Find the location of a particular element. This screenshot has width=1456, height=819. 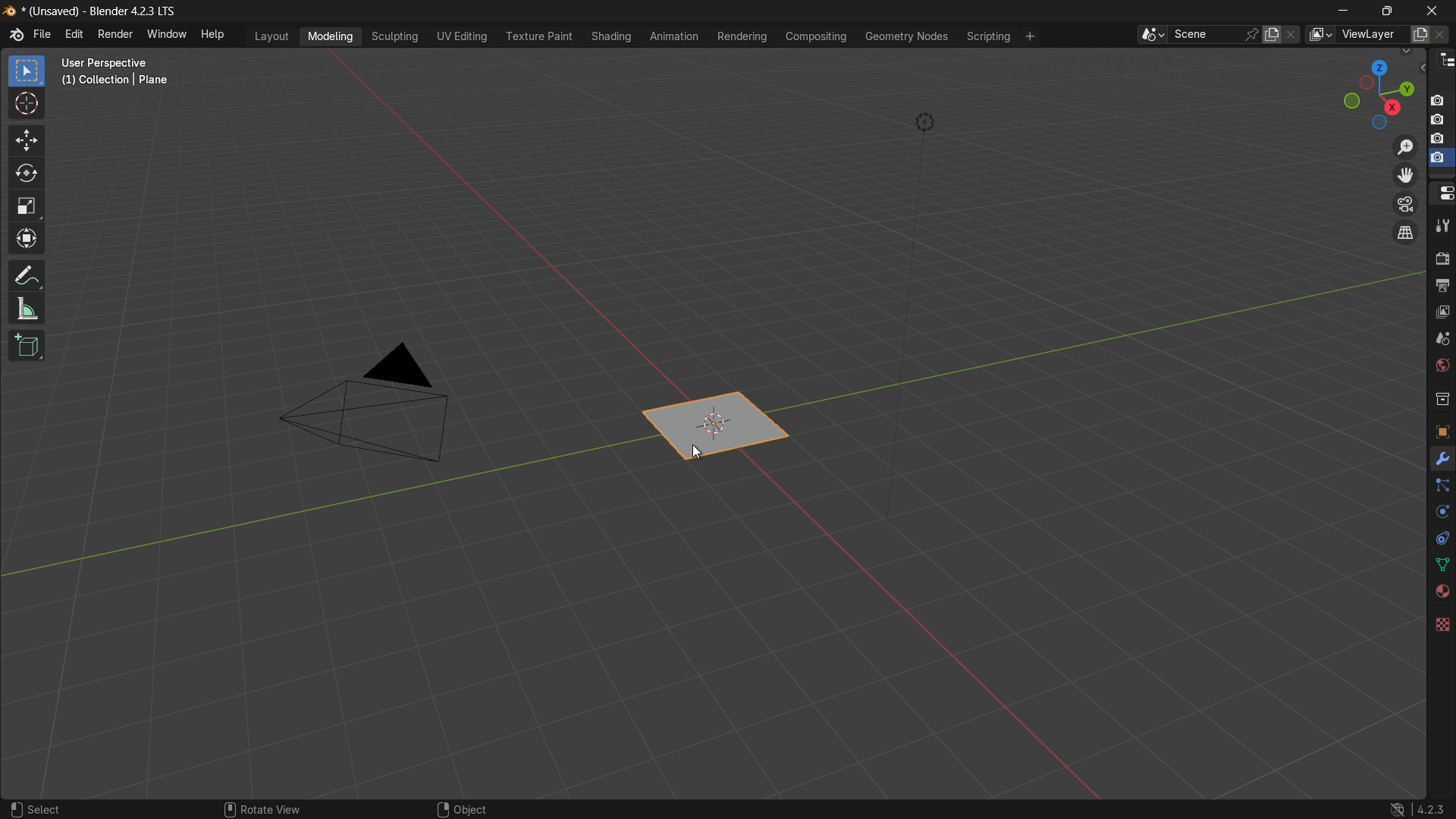

collections is located at coordinates (1442, 397).